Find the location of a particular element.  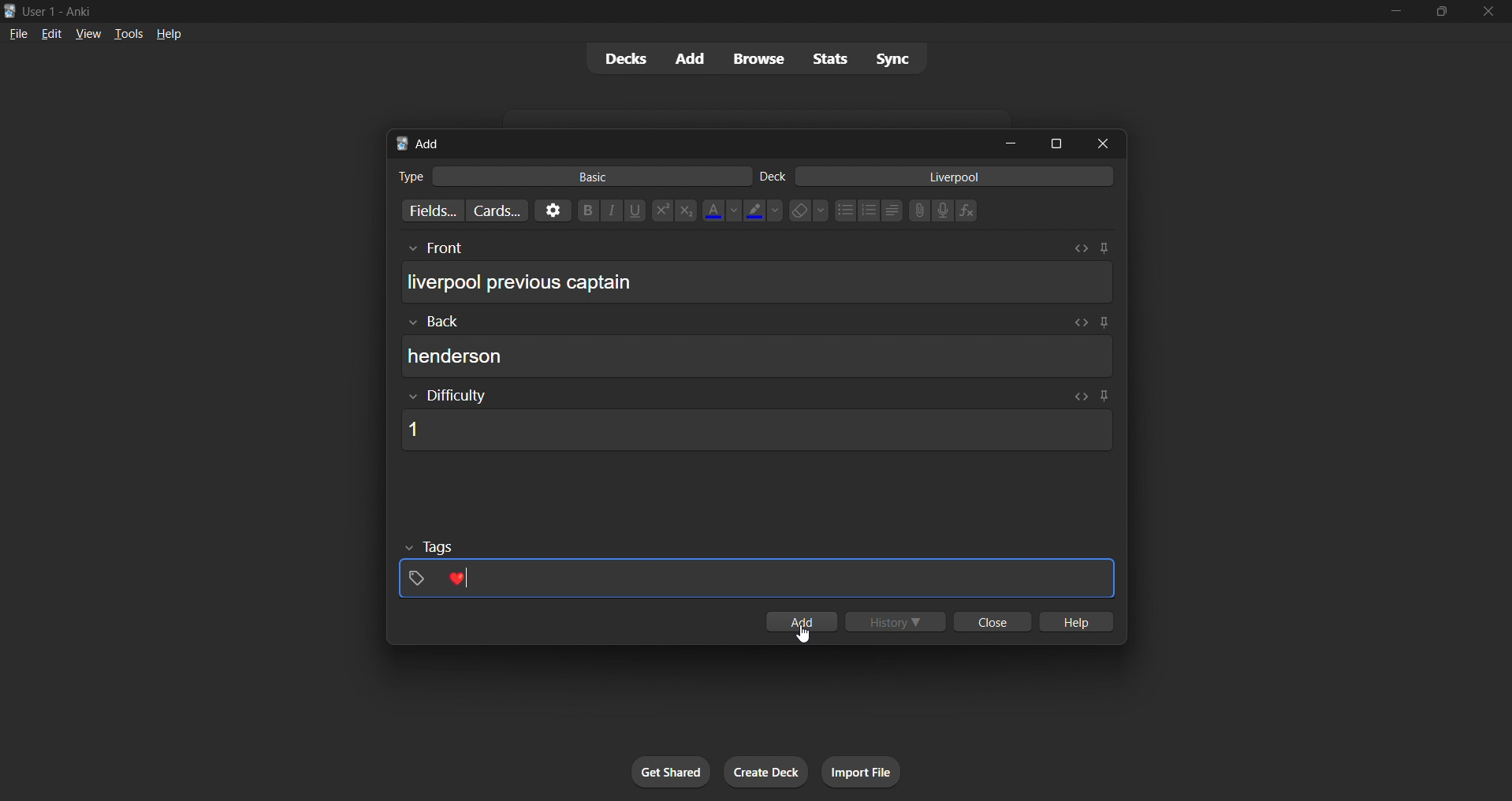

close is located at coordinates (1489, 12).